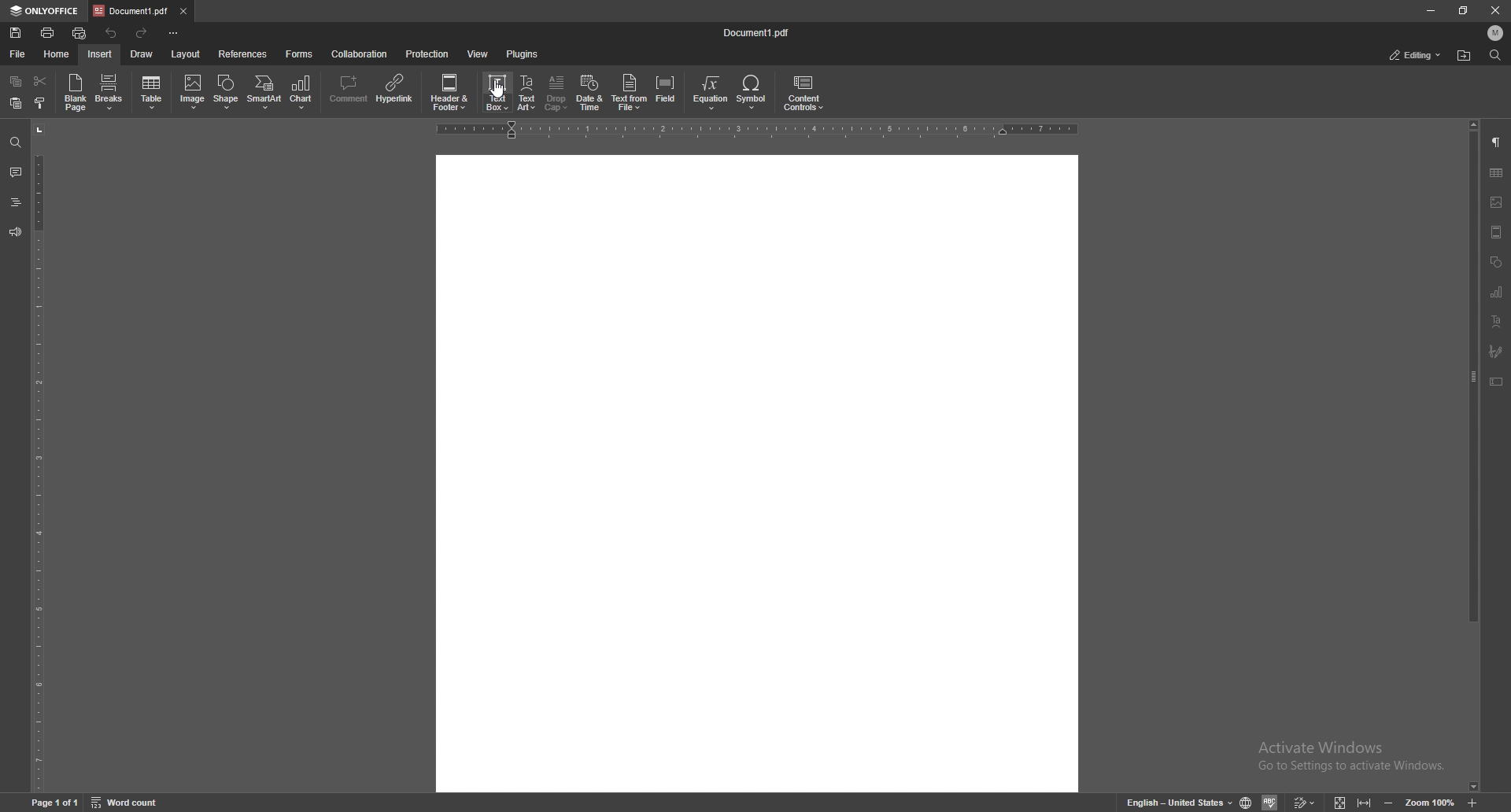 This screenshot has width=1511, height=812. What do you see at coordinates (57, 55) in the screenshot?
I see `home` at bounding box center [57, 55].